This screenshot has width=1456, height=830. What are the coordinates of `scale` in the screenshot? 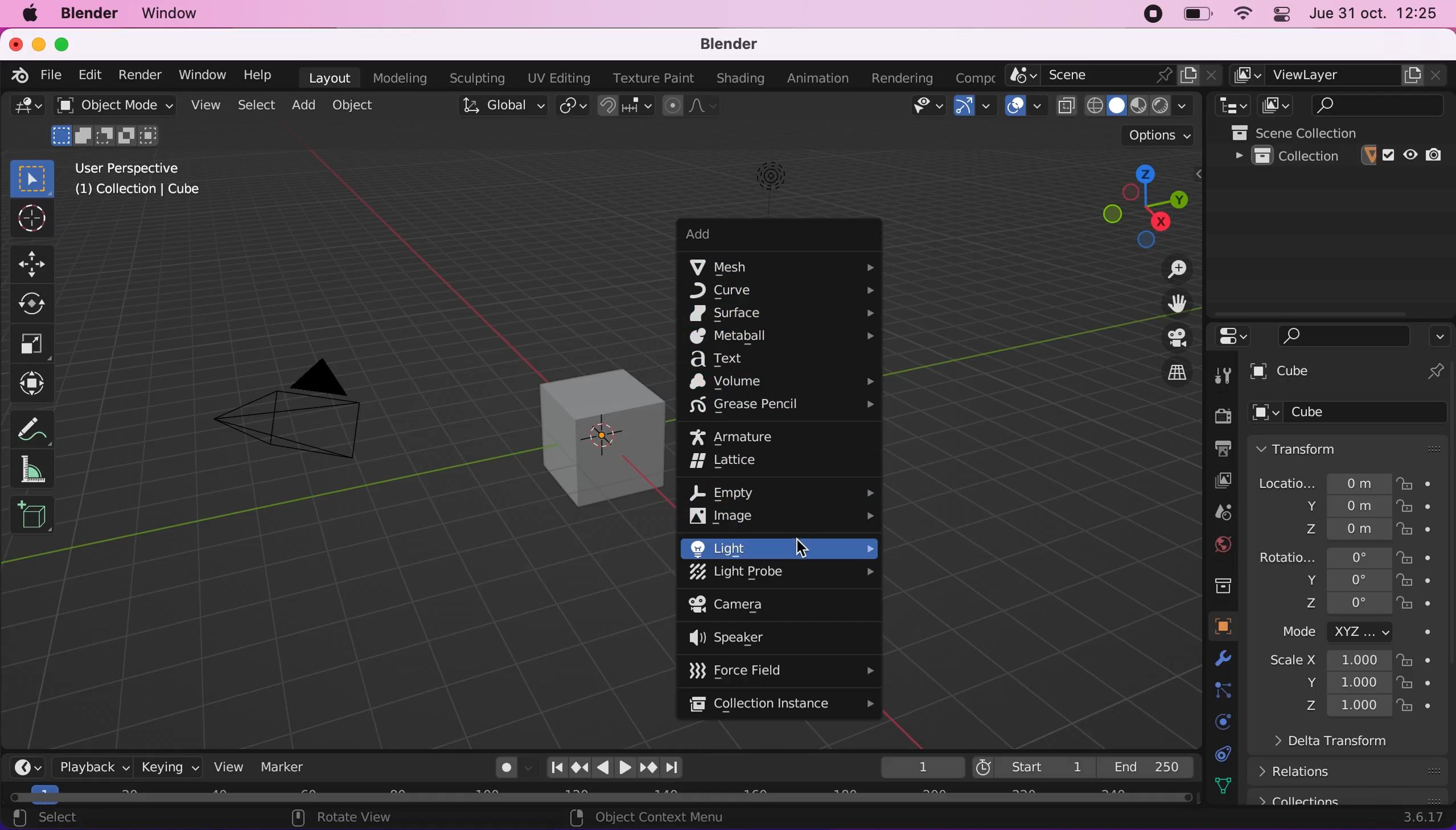 It's located at (38, 343).